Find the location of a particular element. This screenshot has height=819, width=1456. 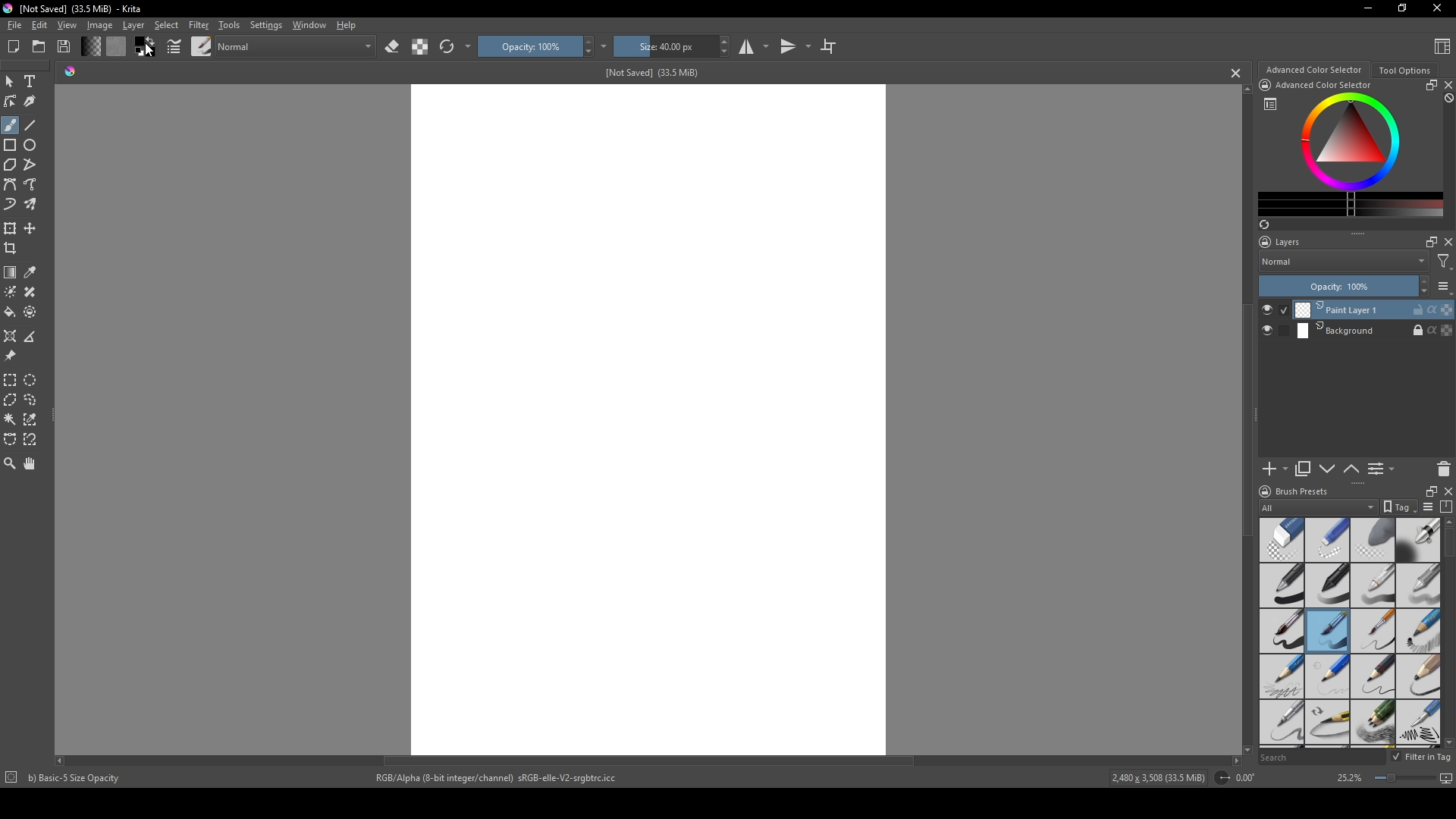

Window is located at coordinates (307, 24).